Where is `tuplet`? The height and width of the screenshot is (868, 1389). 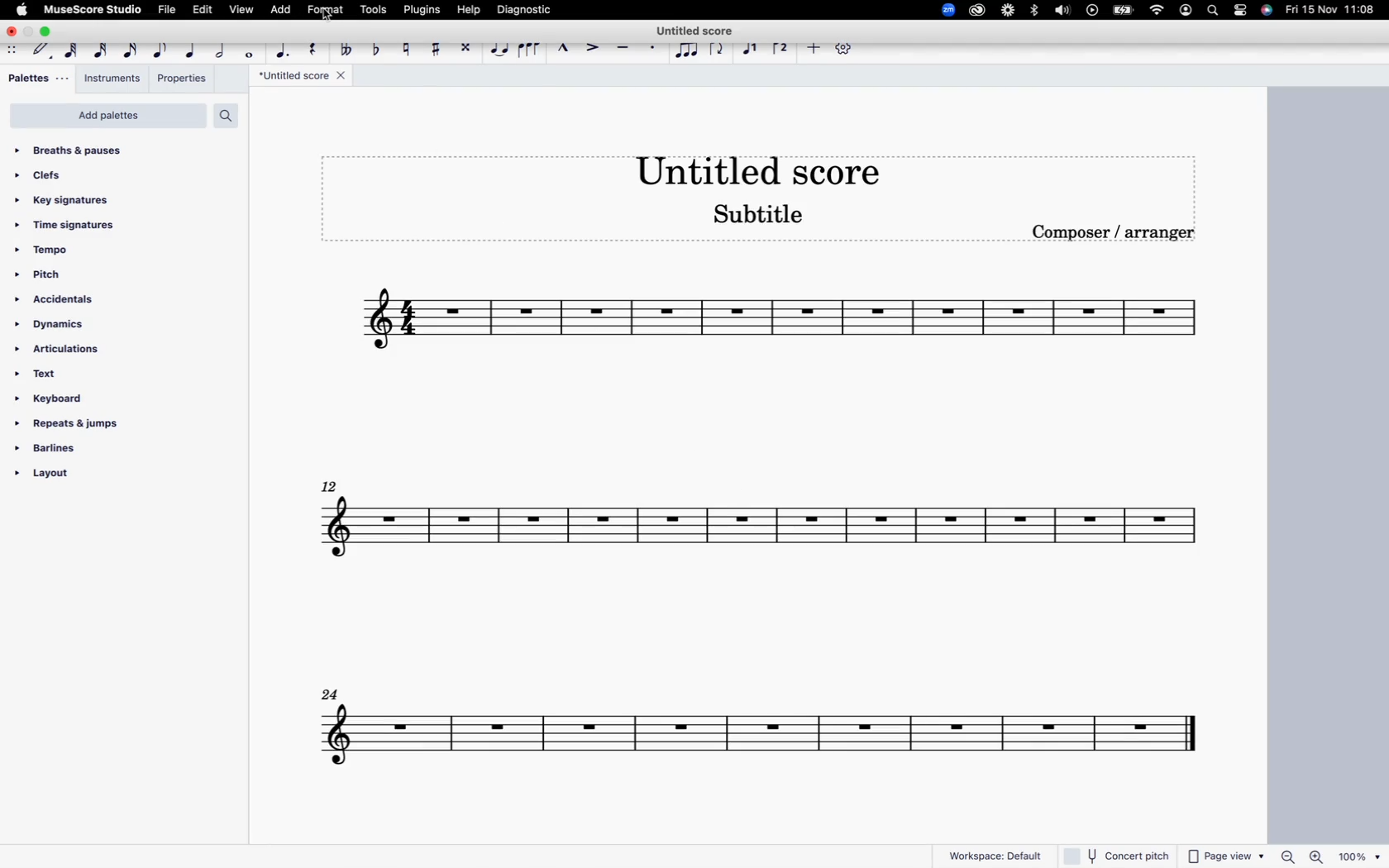
tuplet is located at coordinates (688, 50).